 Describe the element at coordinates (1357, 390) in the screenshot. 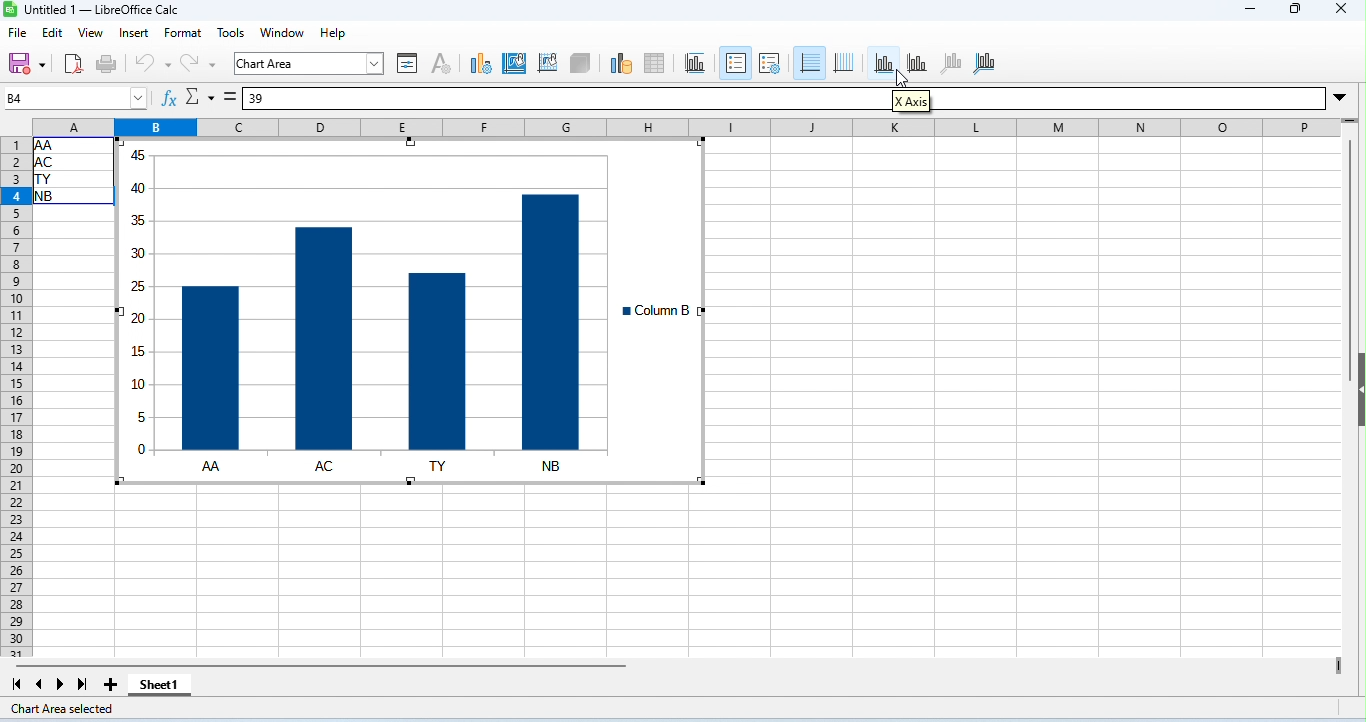

I see `hide` at that location.